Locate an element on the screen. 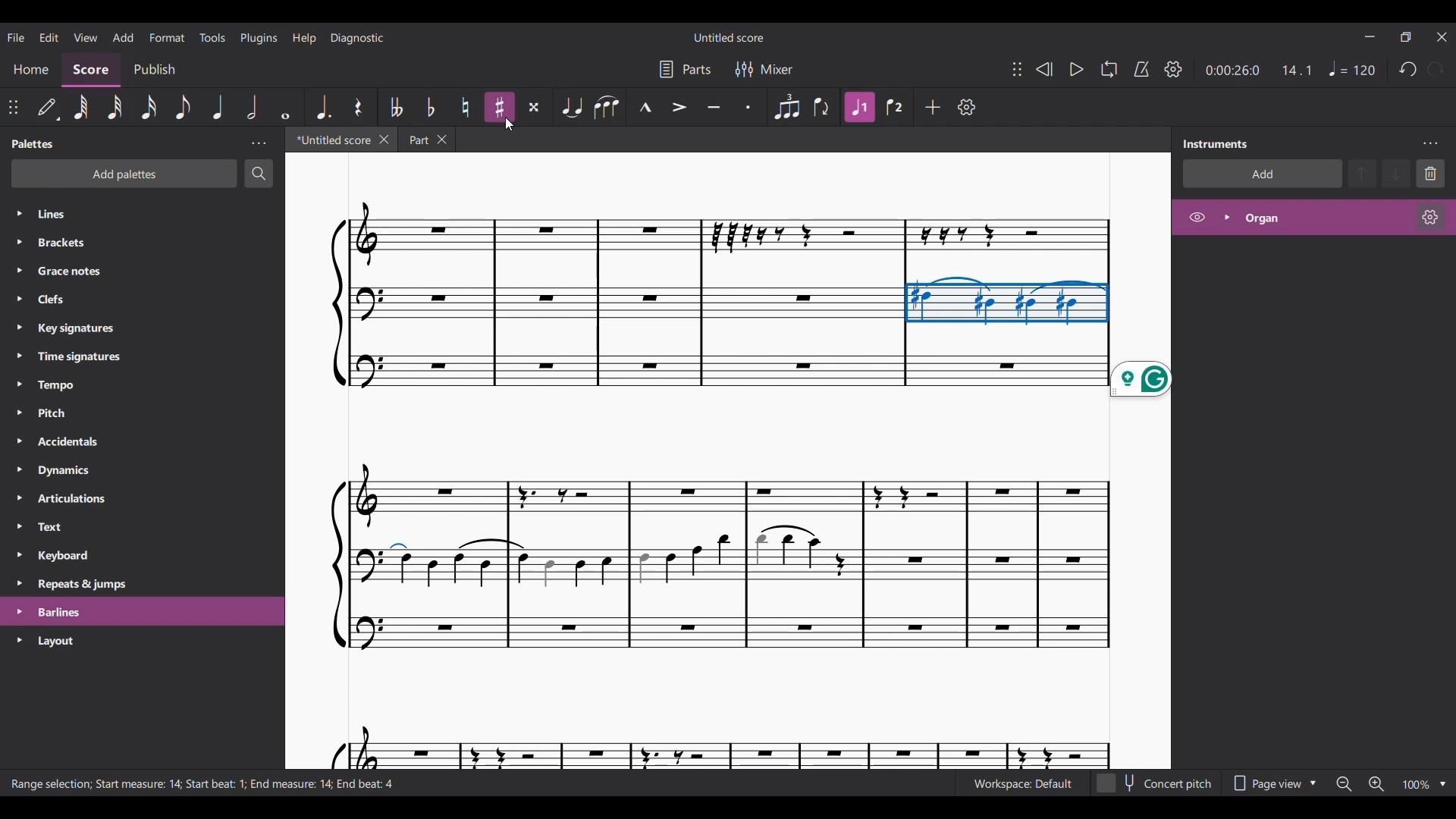 The width and height of the screenshot is (1456, 819). Staccato  is located at coordinates (749, 108).